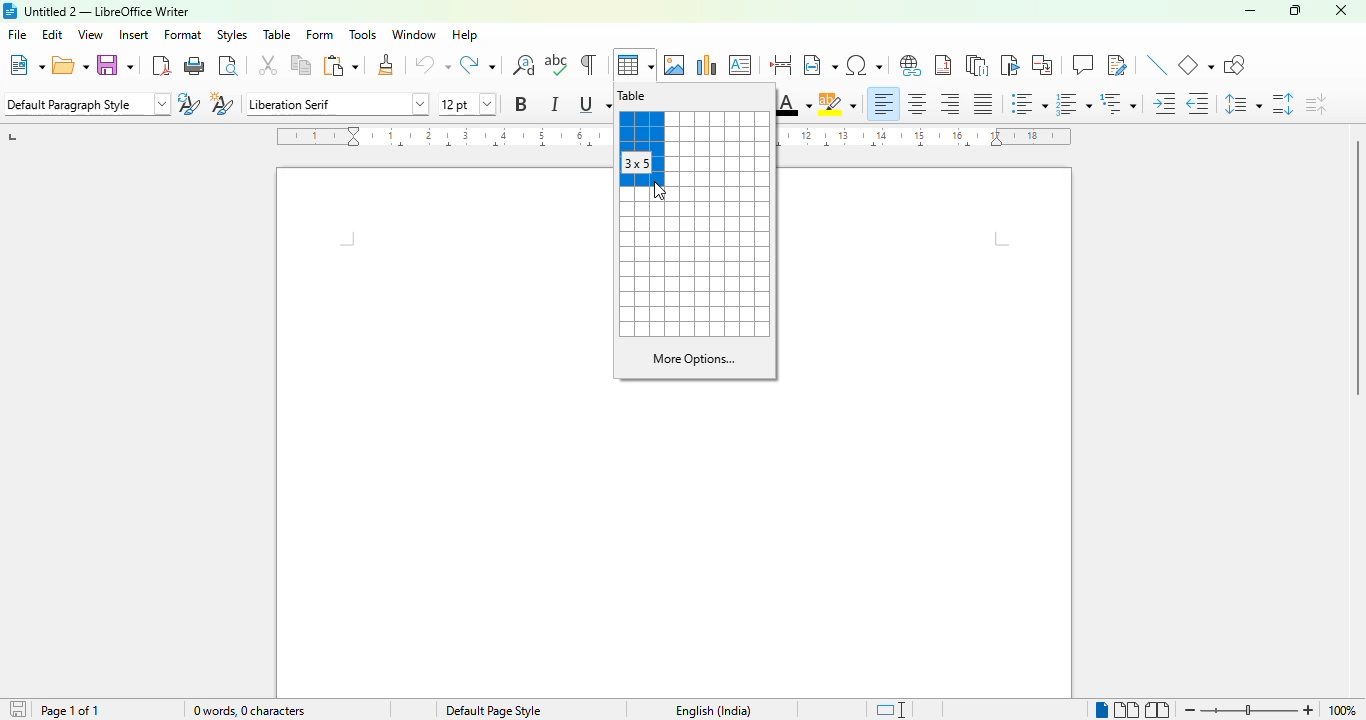  Describe the element at coordinates (983, 104) in the screenshot. I see `justified` at that location.